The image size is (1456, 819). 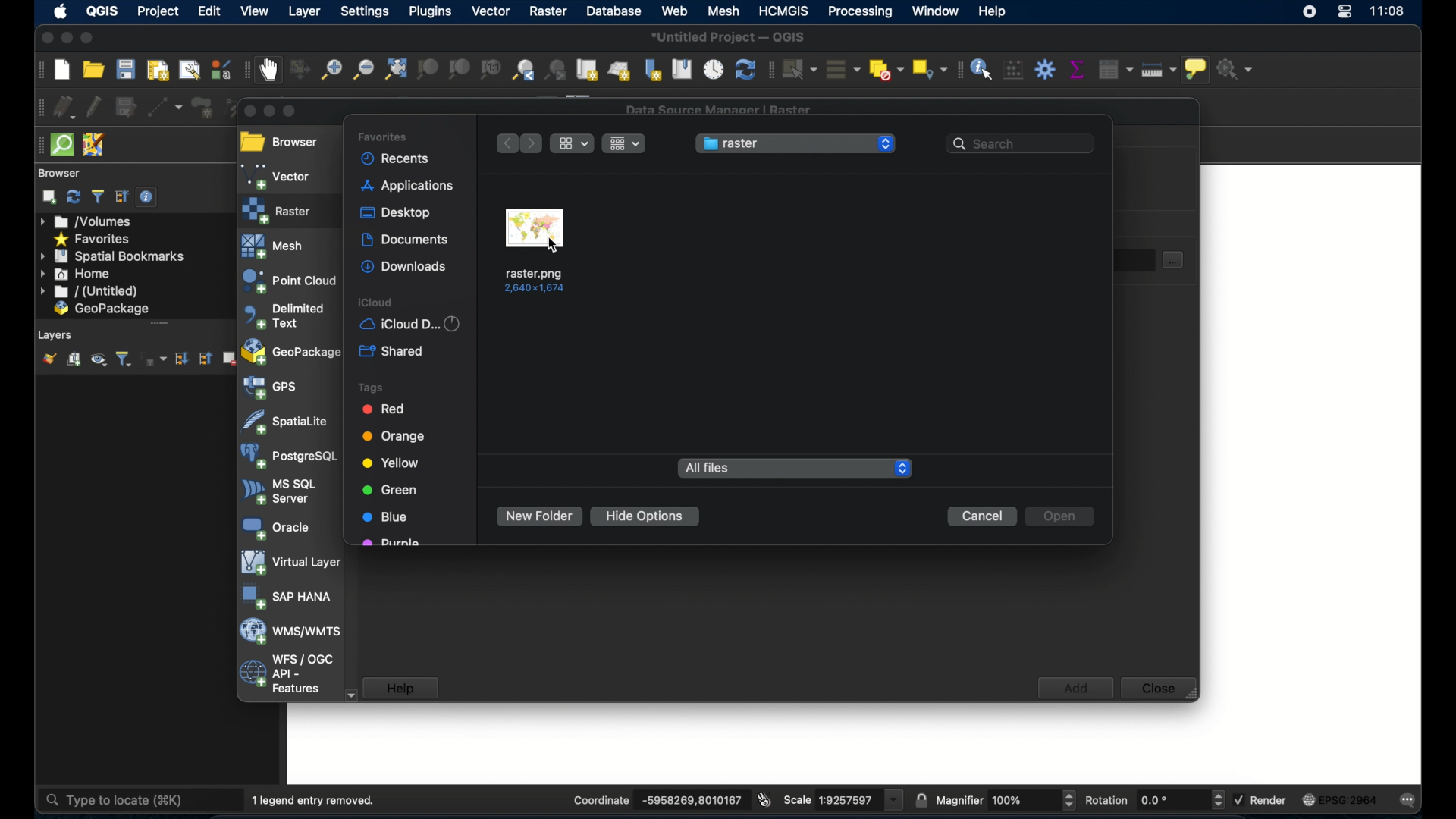 What do you see at coordinates (381, 301) in the screenshot?
I see `iCloud` at bounding box center [381, 301].